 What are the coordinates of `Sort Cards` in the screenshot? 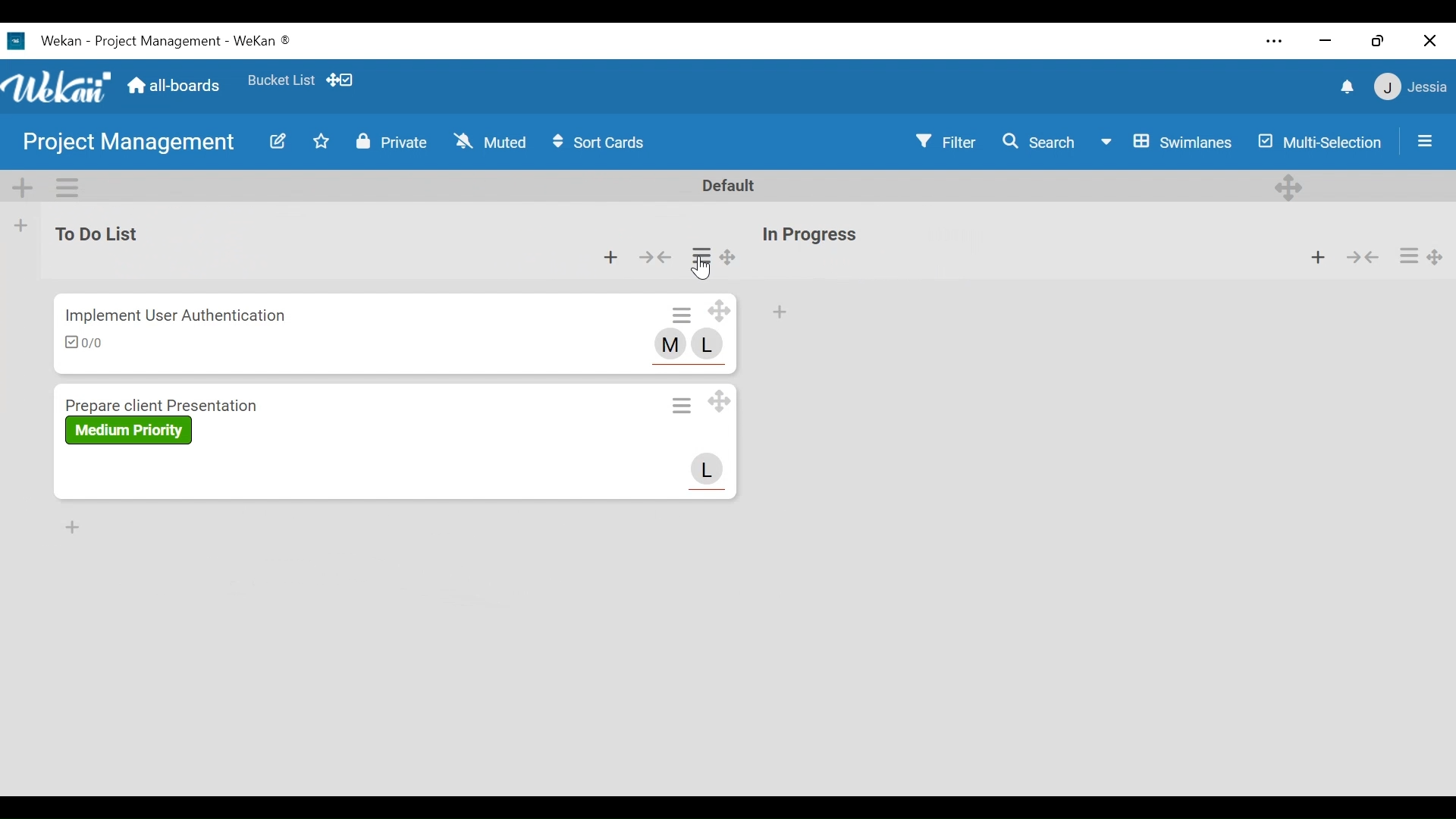 It's located at (598, 143).